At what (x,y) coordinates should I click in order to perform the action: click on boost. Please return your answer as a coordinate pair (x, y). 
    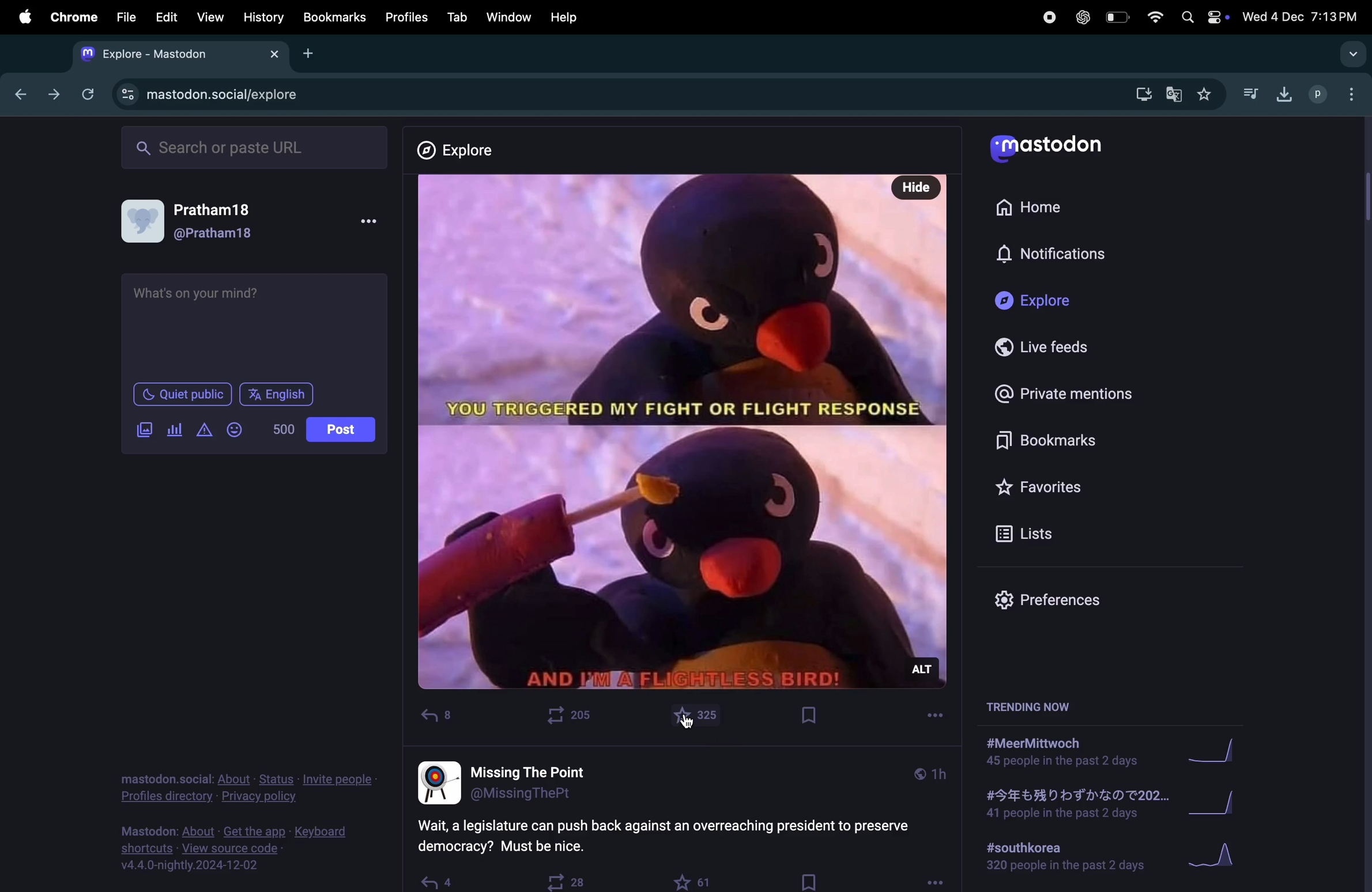
    Looking at the image, I should click on (571, 879).